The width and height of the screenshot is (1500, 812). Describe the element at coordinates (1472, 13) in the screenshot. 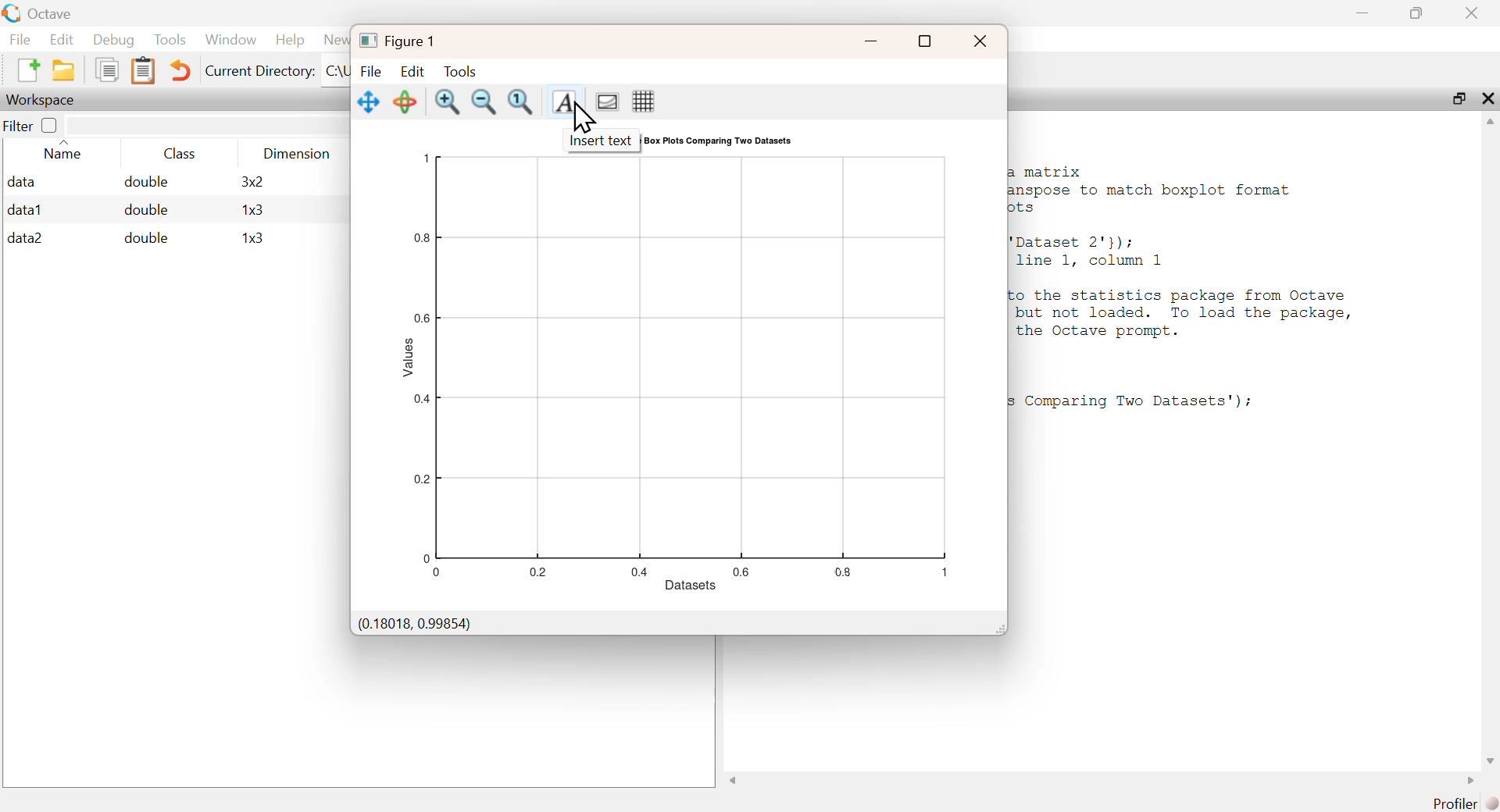

I see `close` at that location.